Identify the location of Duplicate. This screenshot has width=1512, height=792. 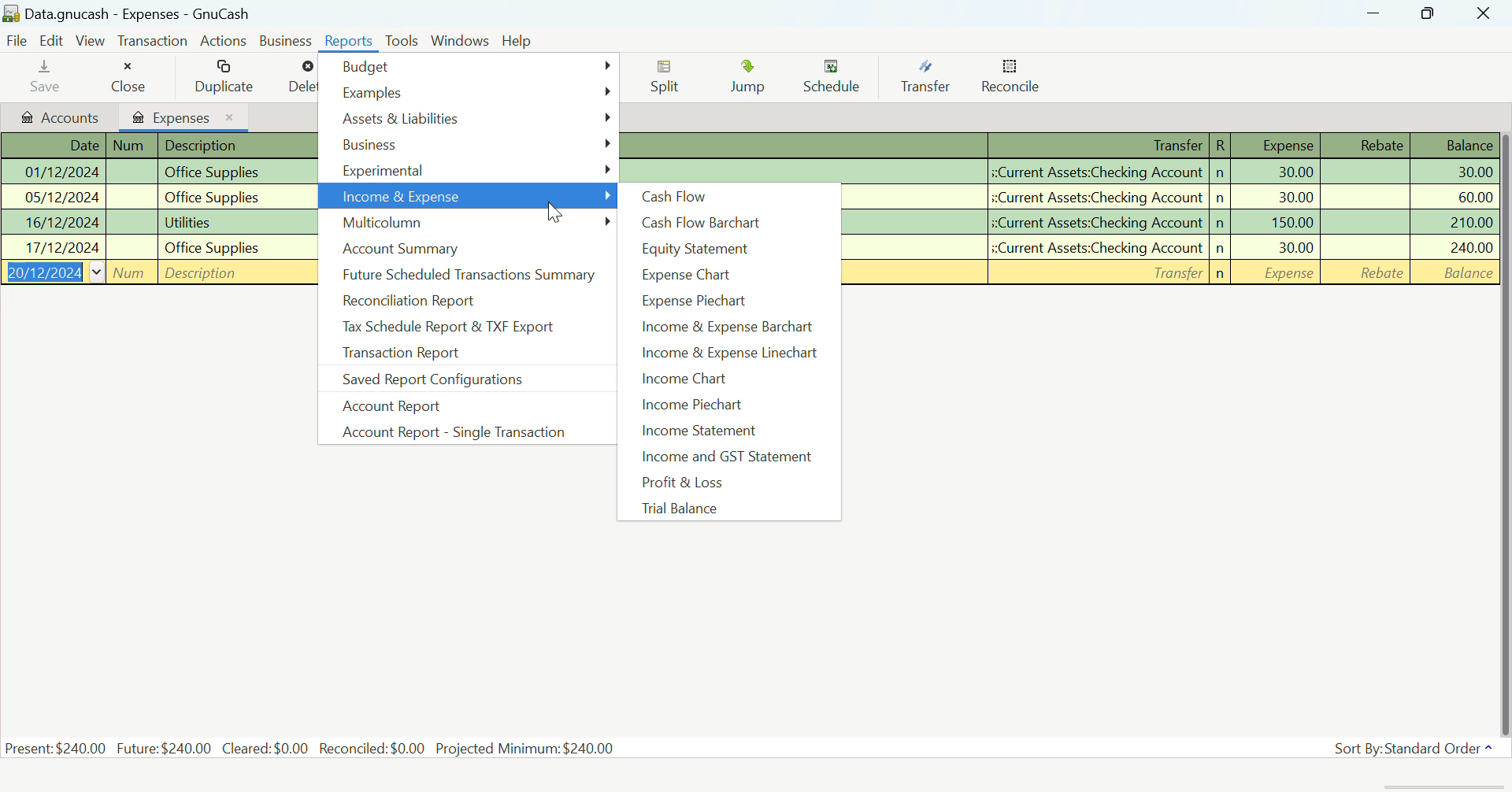
(227, 76).